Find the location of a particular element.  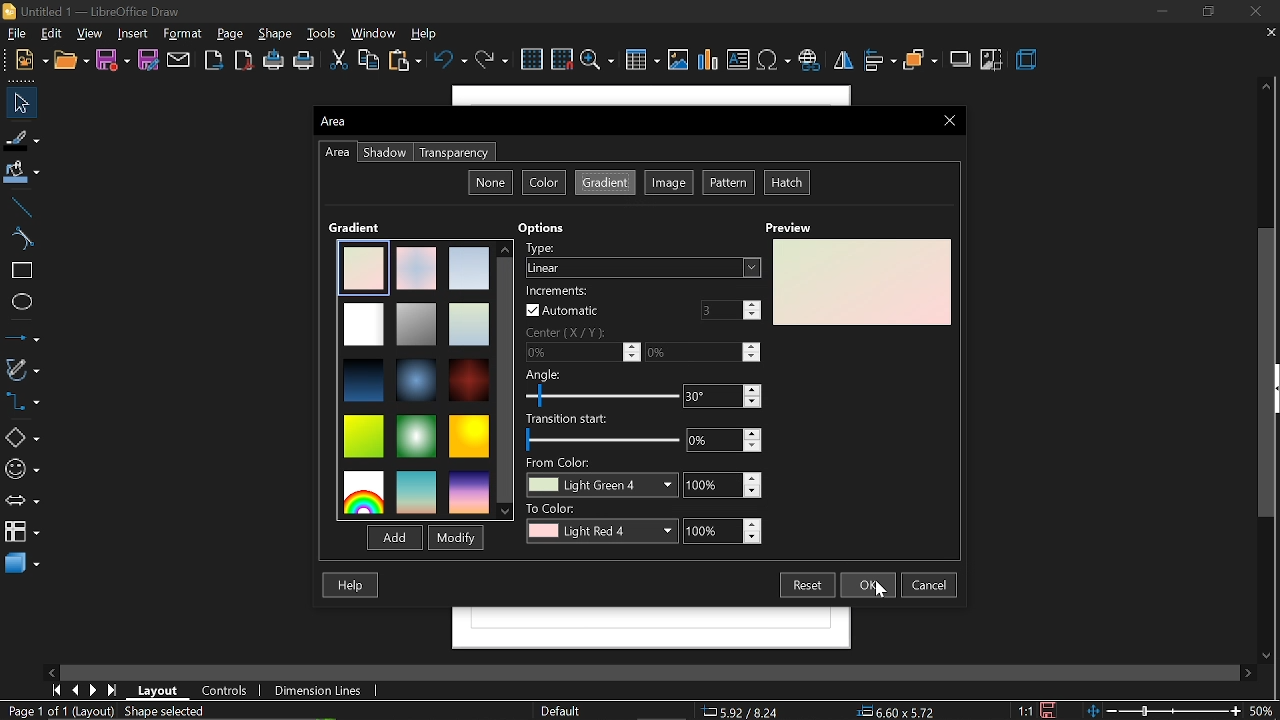

Untitled 1 - LibreOffice Draw is located at coordinates (100, 10).